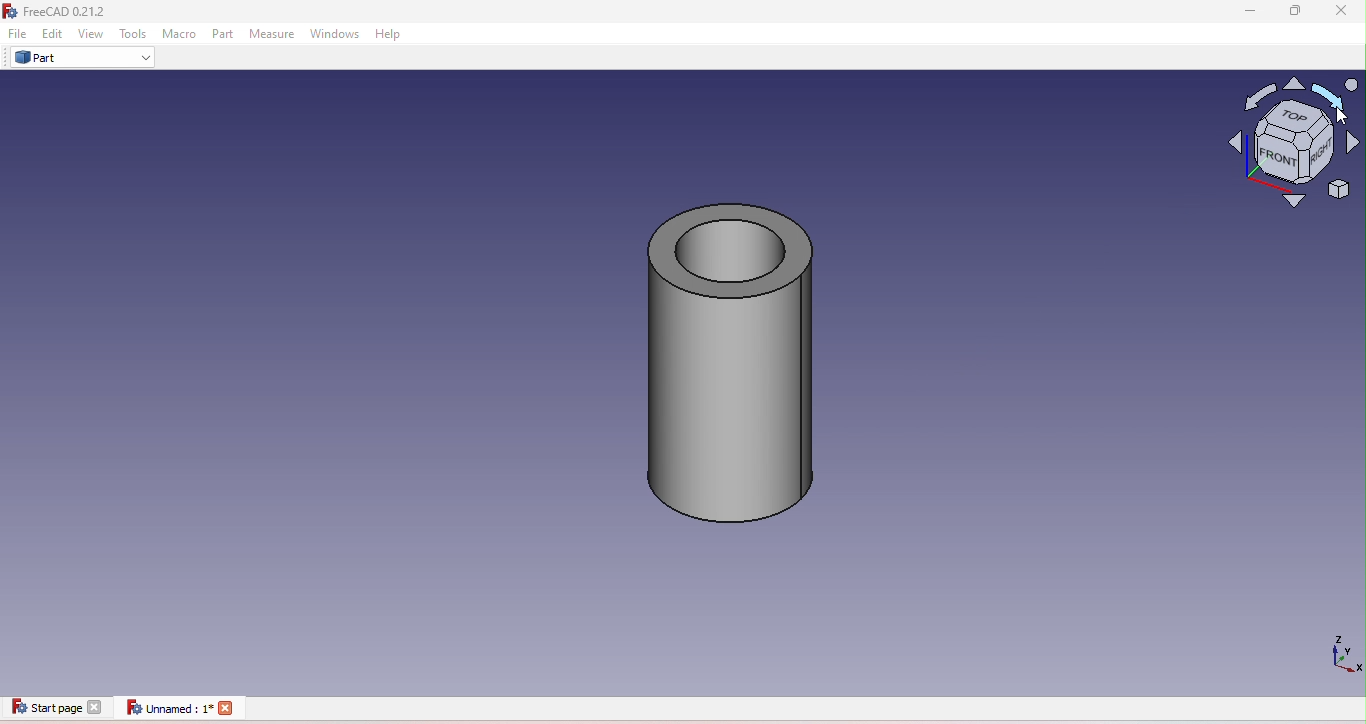  Describe the element at coordinates (223, 34) in the screenshot. I see `Part` at that location.